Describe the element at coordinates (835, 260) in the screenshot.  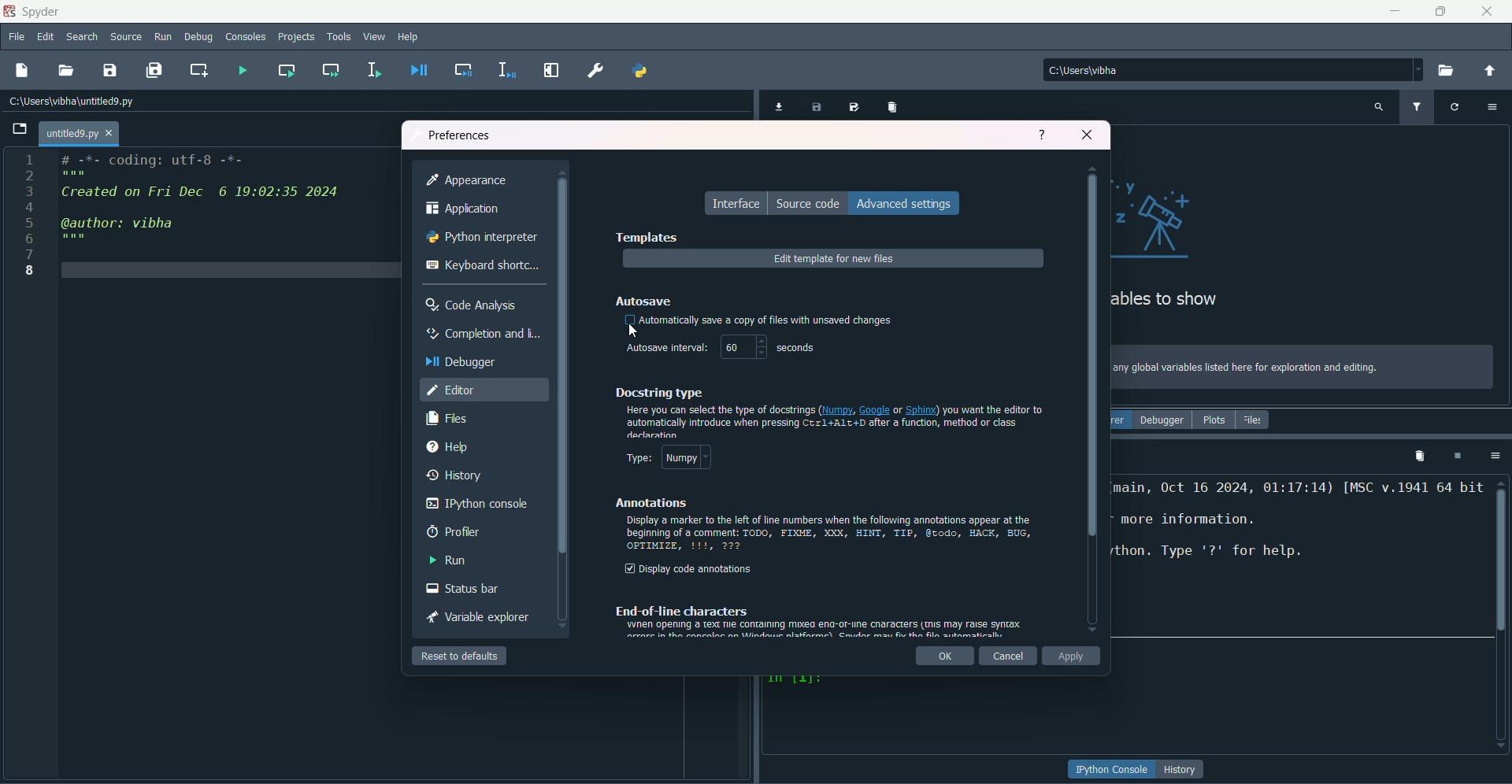
I see `edit templates` at that location.